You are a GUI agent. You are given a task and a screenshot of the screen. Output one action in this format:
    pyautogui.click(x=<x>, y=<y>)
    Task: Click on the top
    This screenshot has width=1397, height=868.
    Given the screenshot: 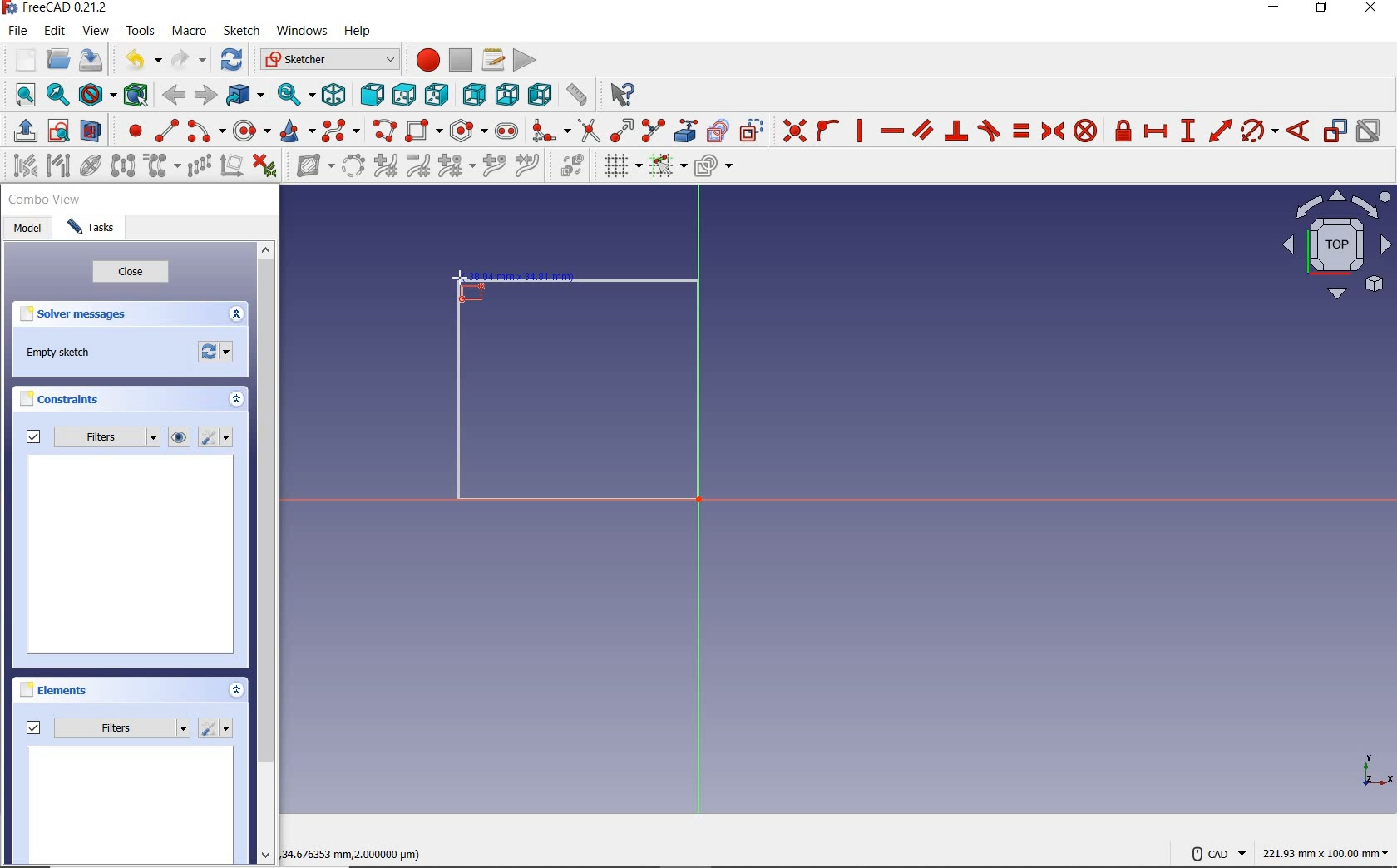 What is the action you would take?
    pyautogui.click(x=404, y=95)
    